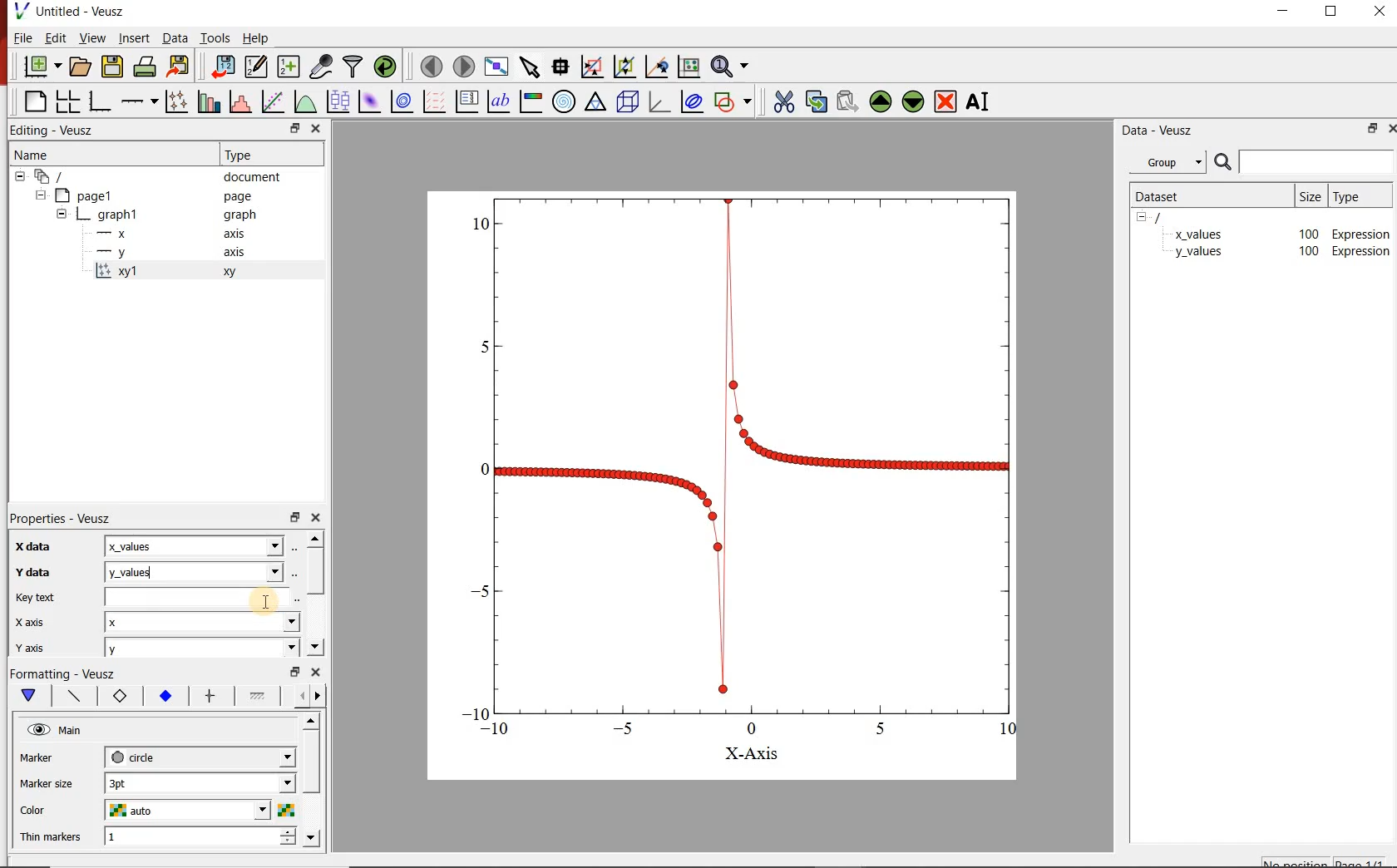  What do you see at coordinates (57, 37) in the screenshot?
I see `edit ` at bounding box center [57, 37].